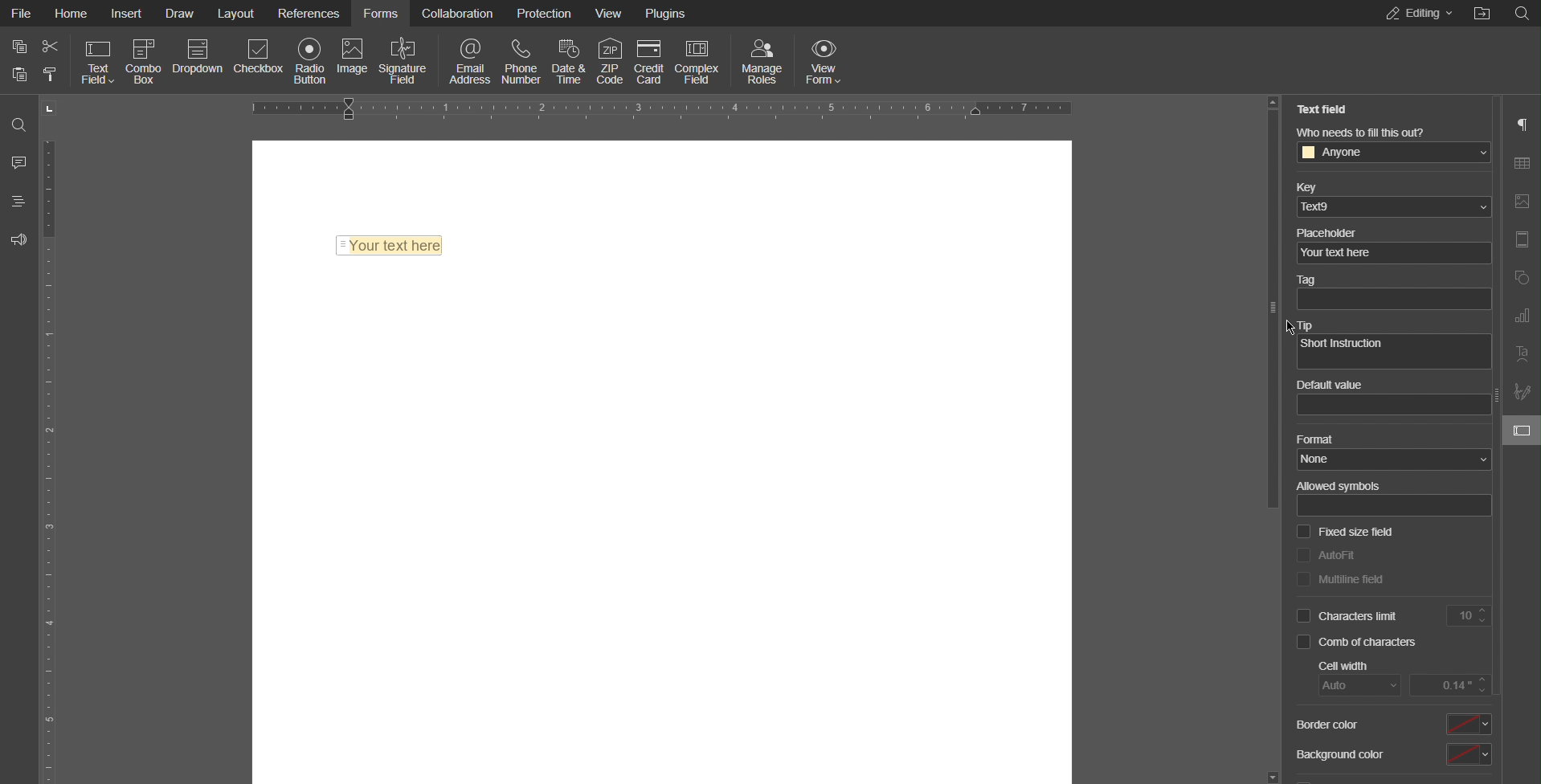 This screenshot has width=1541, height=784. I want to click on Characters Limit, so click(1406, 616).